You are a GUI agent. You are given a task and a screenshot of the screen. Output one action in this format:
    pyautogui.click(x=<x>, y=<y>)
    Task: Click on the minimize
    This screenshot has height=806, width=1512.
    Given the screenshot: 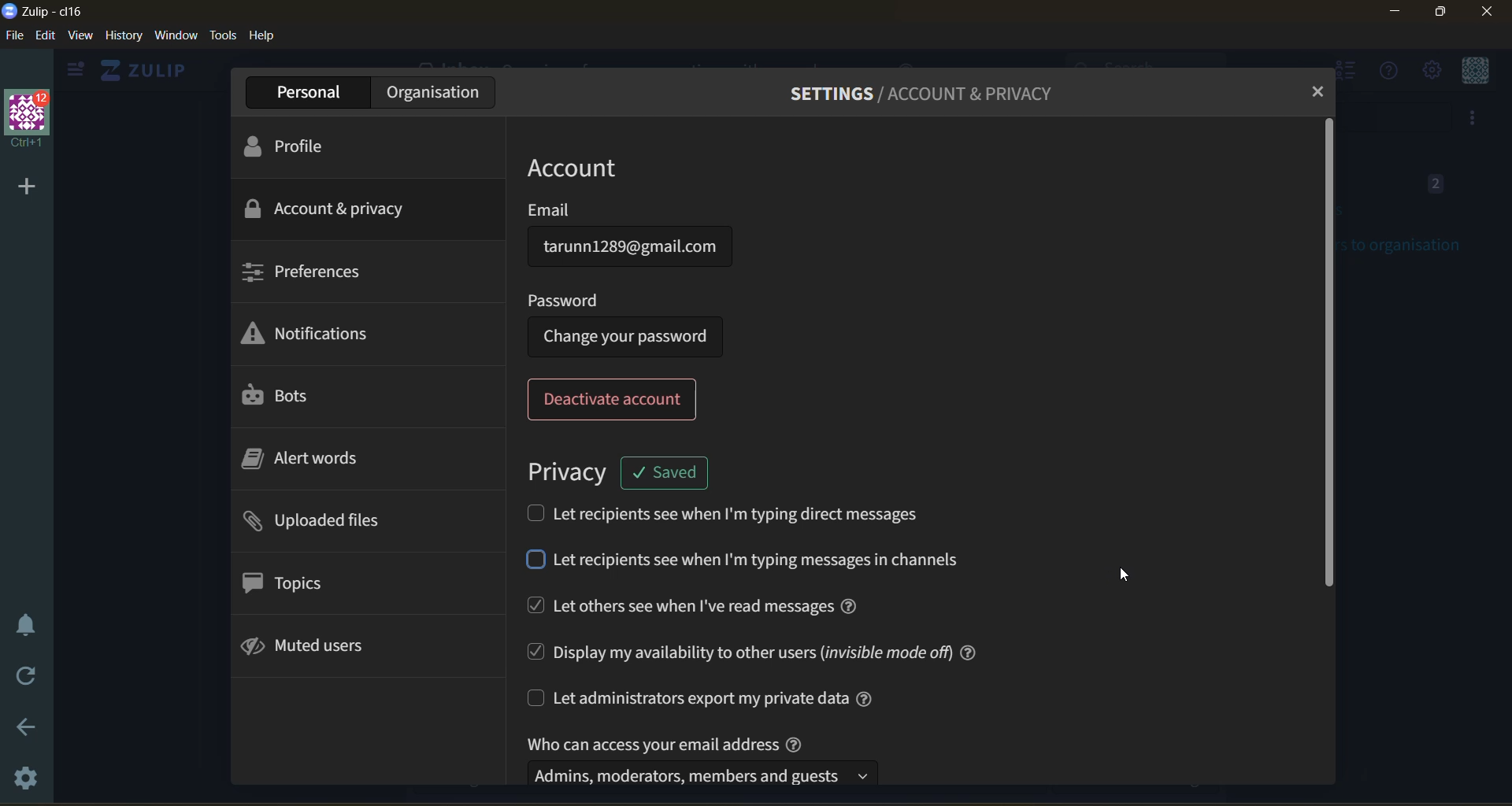 What is the action you would take?
    pyautogui.click(x=1397, y=14)
    